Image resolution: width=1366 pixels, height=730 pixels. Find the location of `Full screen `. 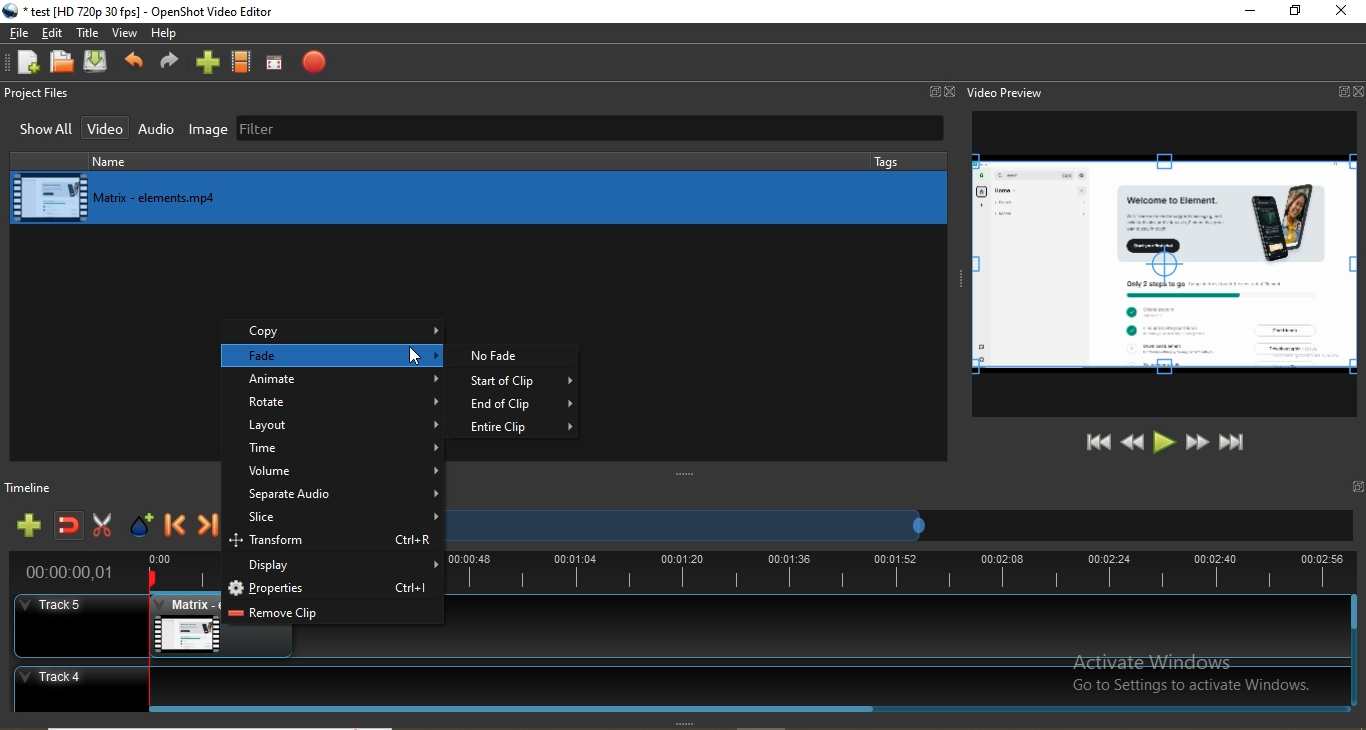

Full screen  is located at coordinates (274, 63).